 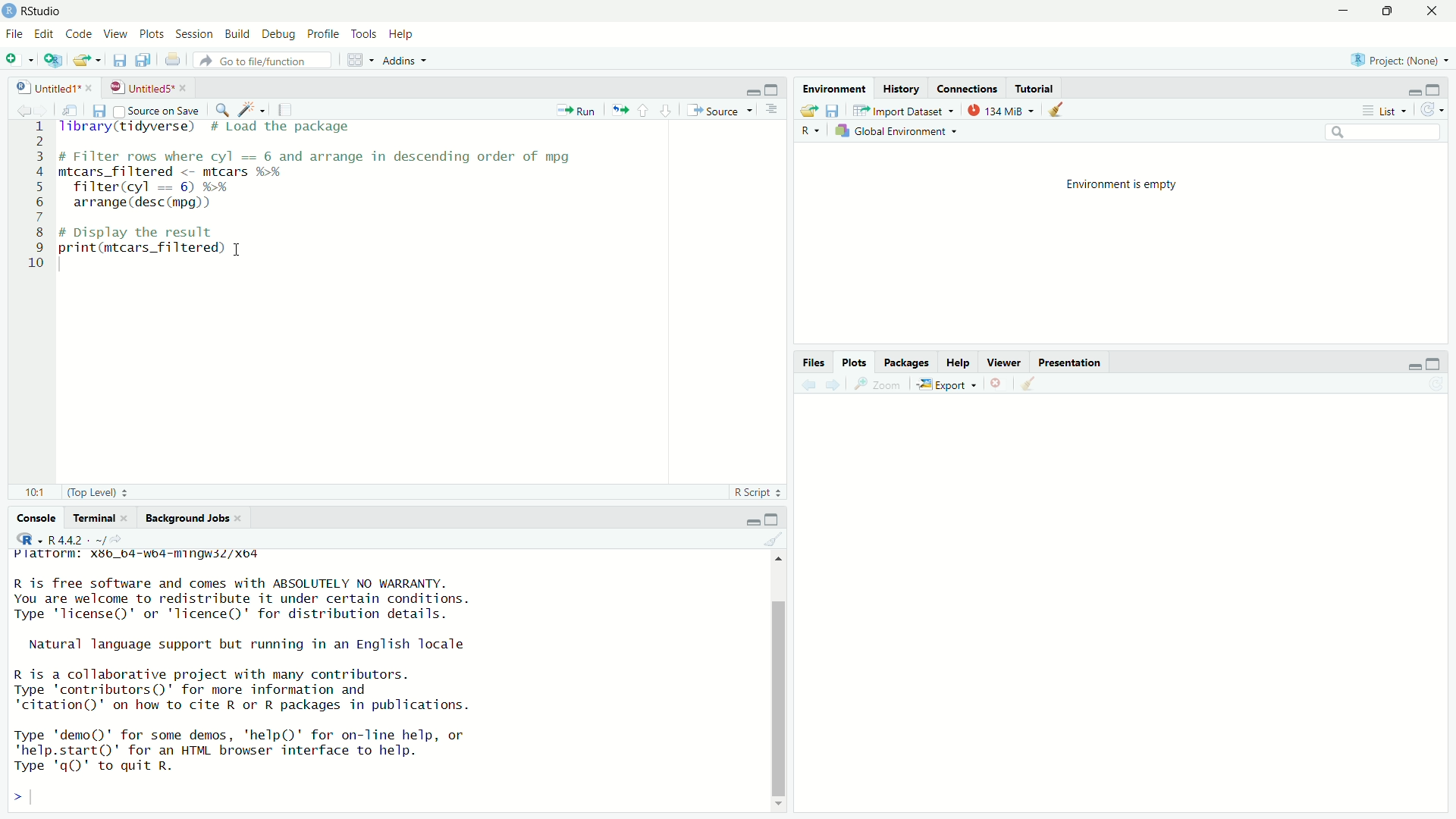 What do you see at coordinates (193, 33) in the screenshot?
I see `Session` at bounding box center [193, 33].